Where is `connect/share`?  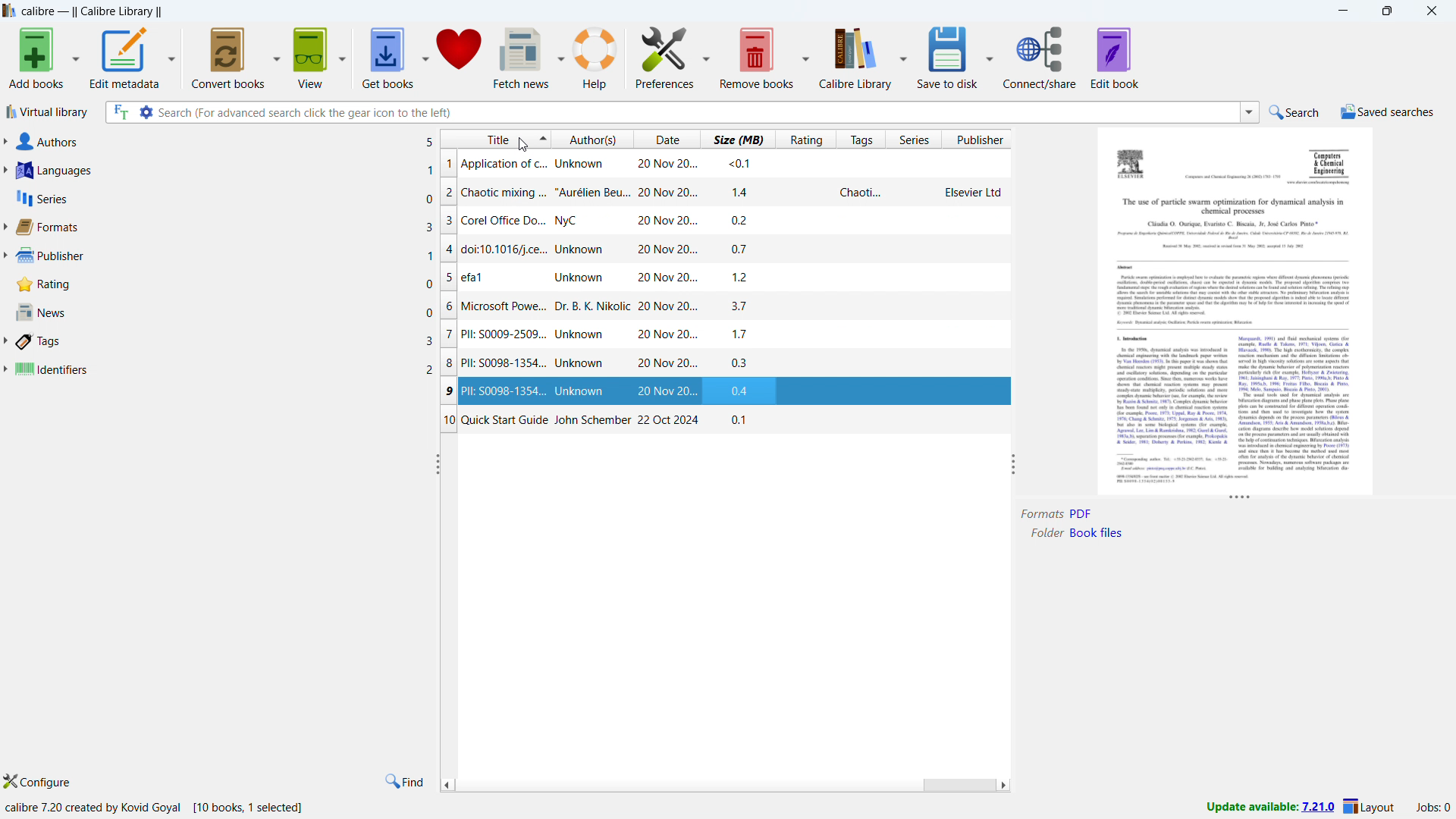 connect/share is located at coordinates (1040, 58).